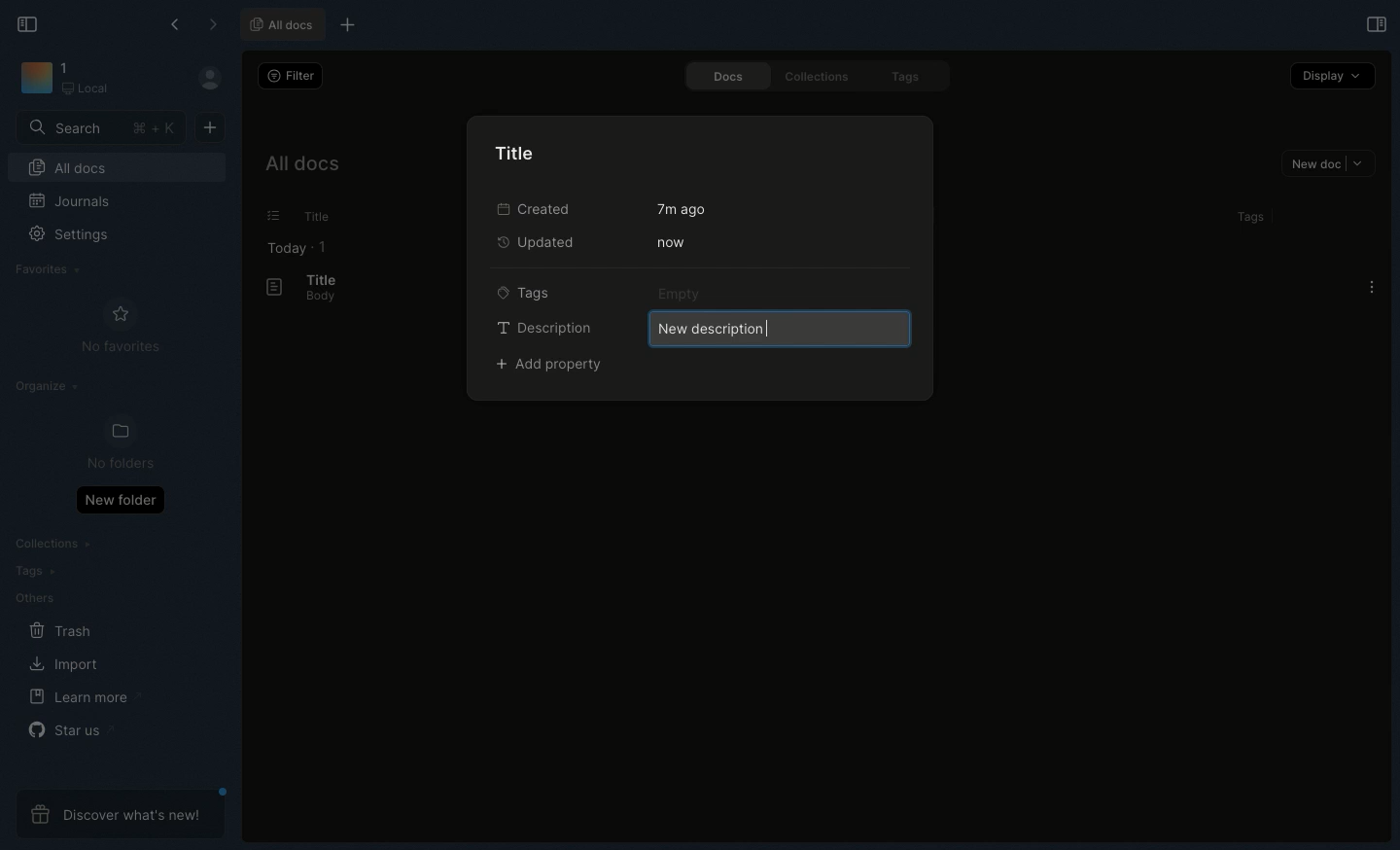 This screenshot has height=850, width=1400. I want to click on Document, so click(265, 288).